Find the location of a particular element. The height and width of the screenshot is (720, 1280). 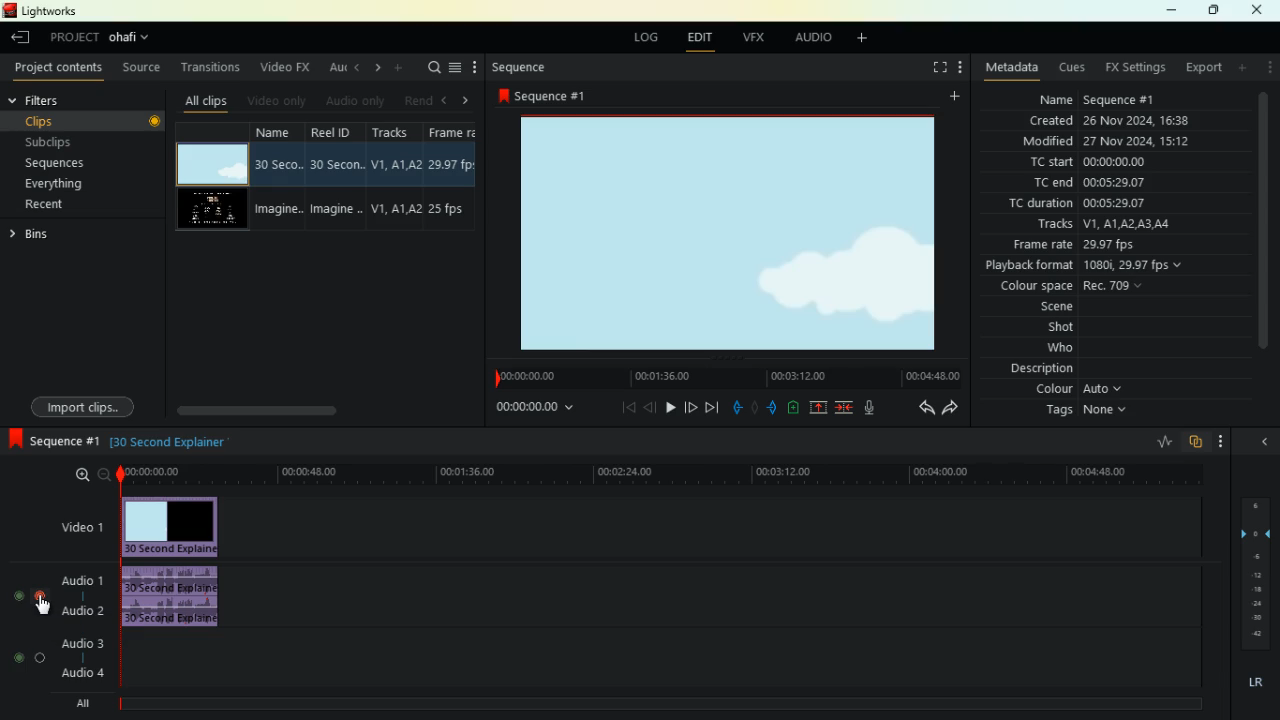

video fx is located at coordinates (285, 67).